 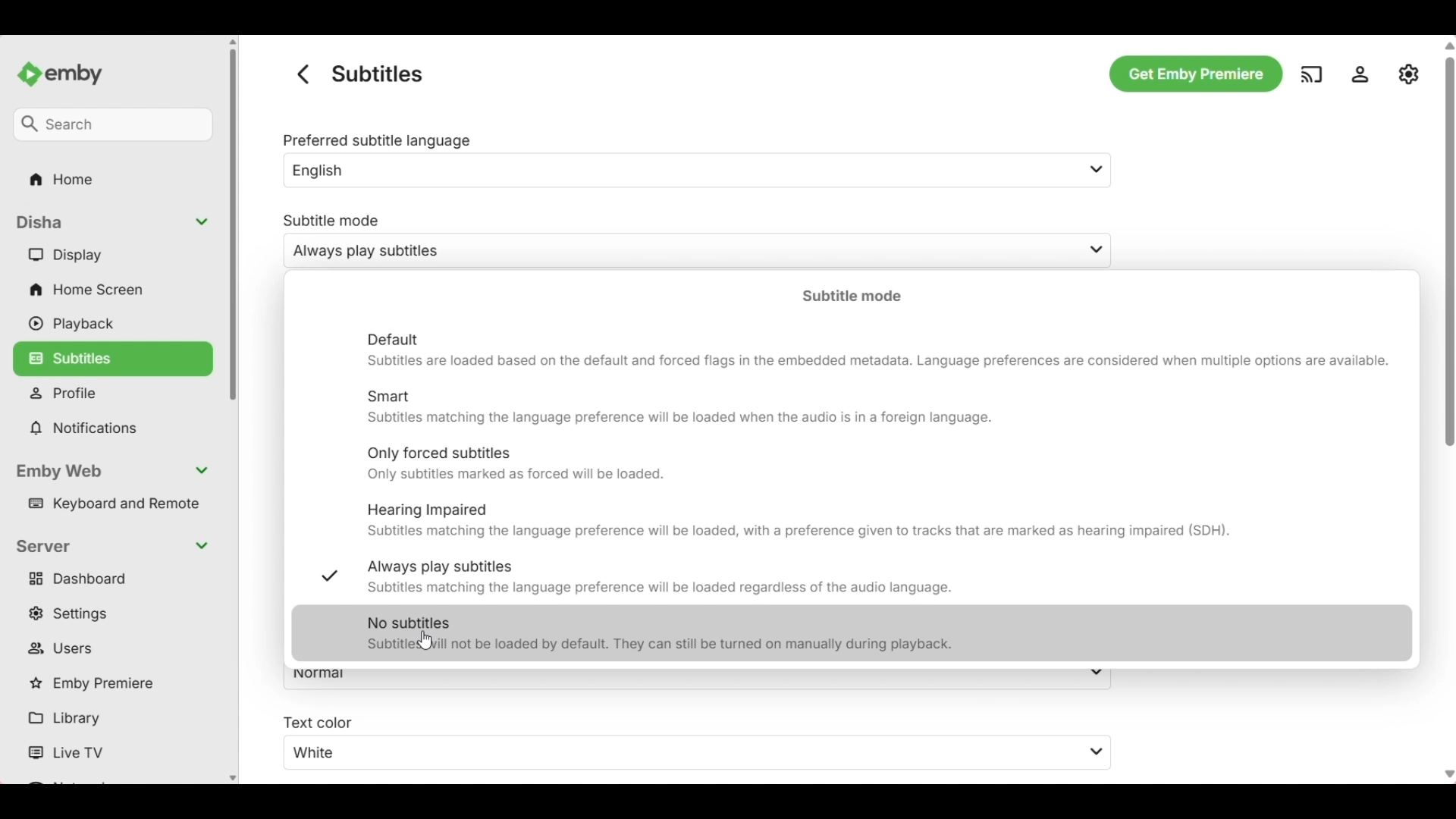 I want to click on List options in respective boxes, so click(x=1097, y=212).